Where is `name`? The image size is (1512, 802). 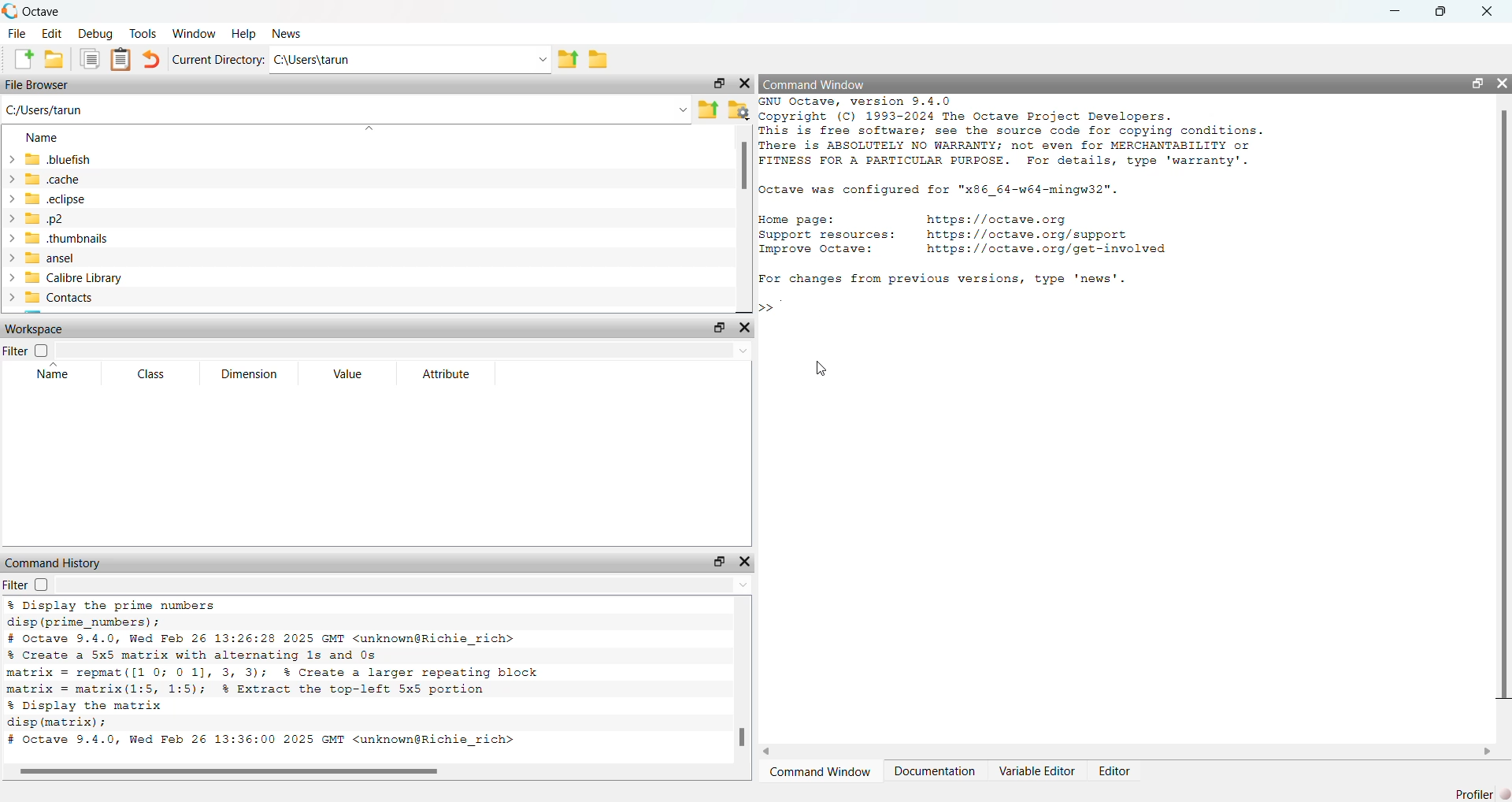
name is located at coordinates (39, 136).